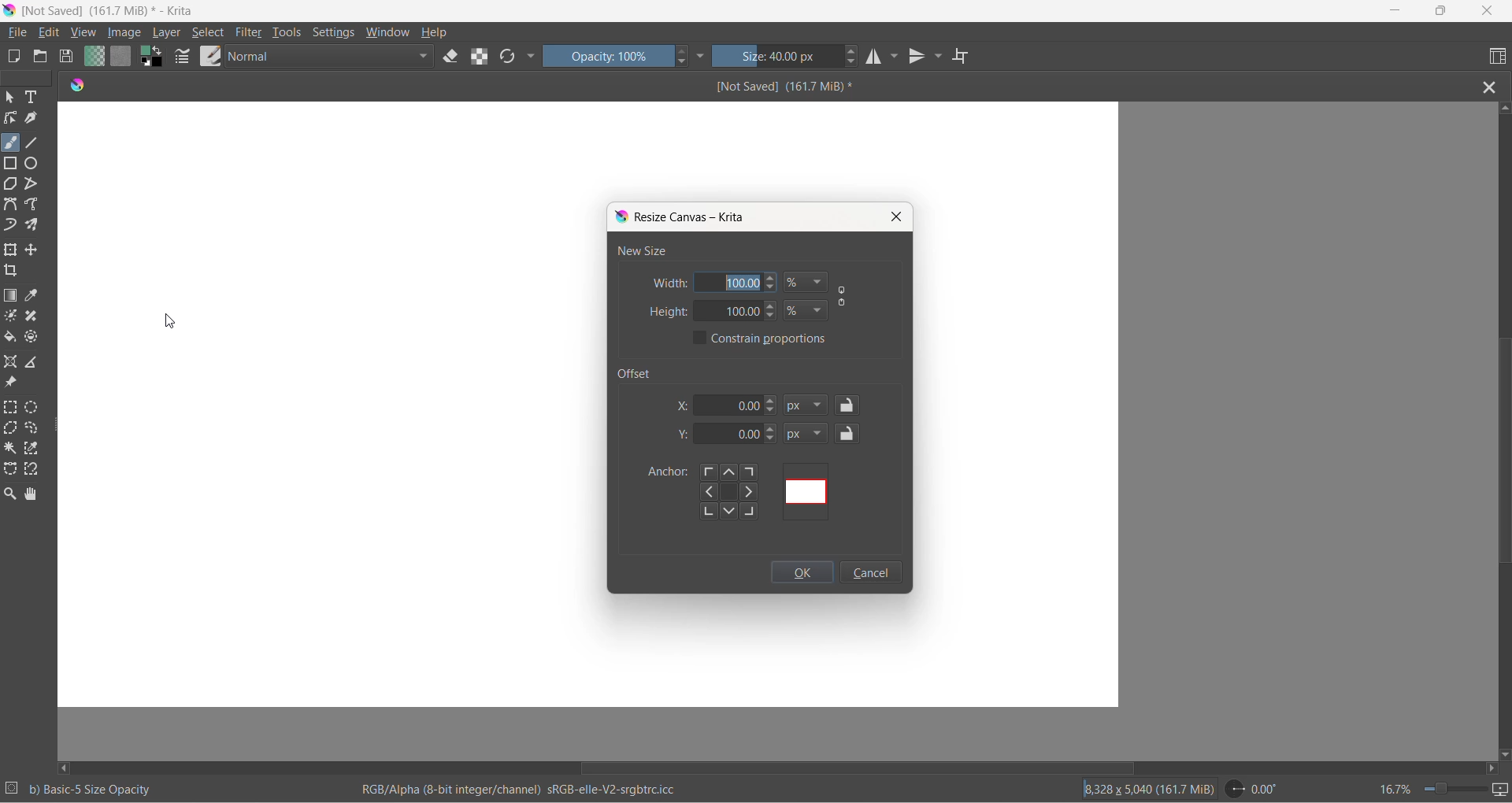 The width and height of the screenshot is (1512, 803). What do you see at coordinates (155, 60) in the screenshot?
I see `swap foreground and background colors` at bounding box center [155, 60].